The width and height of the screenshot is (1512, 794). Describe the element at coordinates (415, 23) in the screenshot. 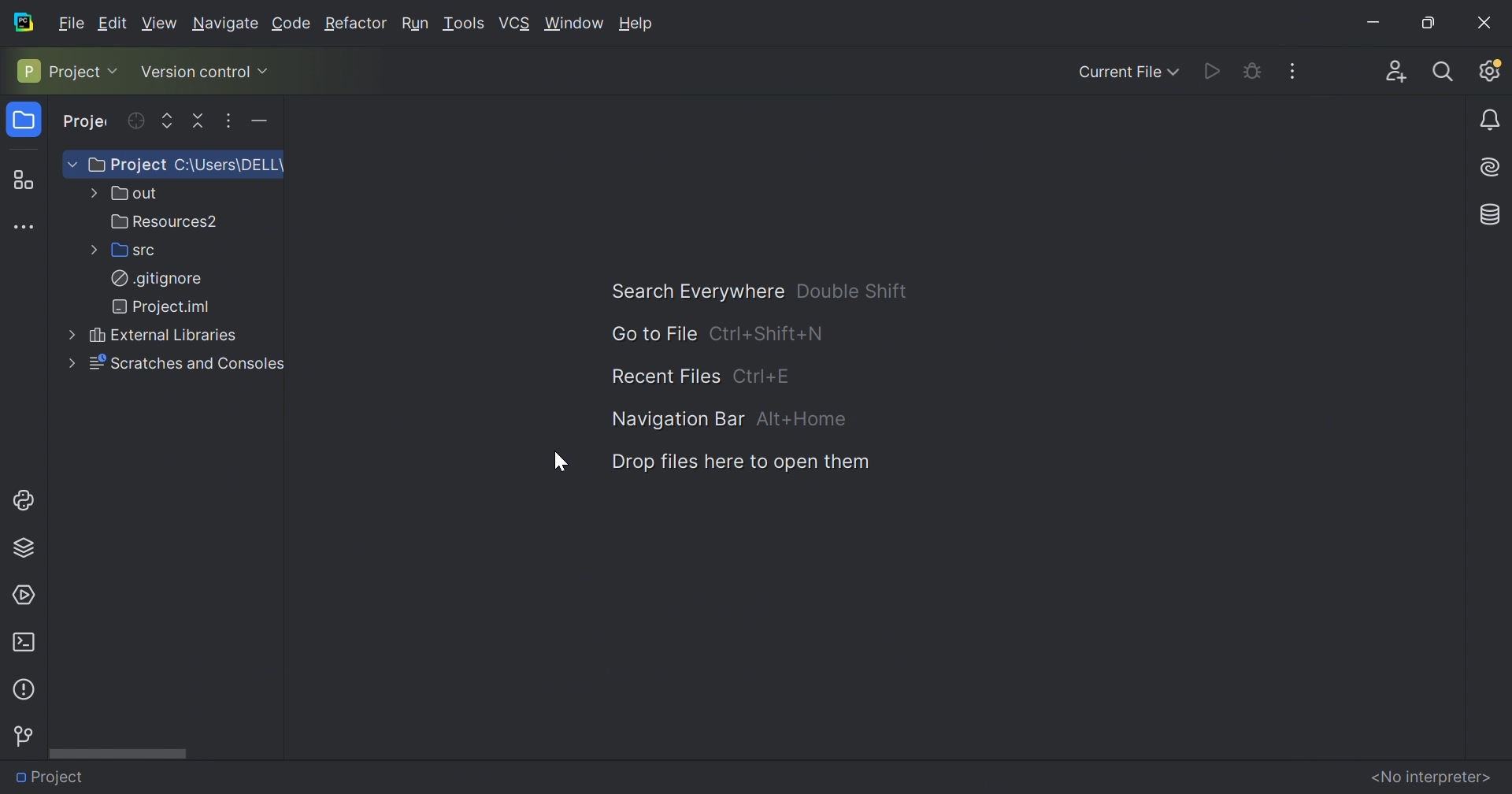

I see `Run` at that location.